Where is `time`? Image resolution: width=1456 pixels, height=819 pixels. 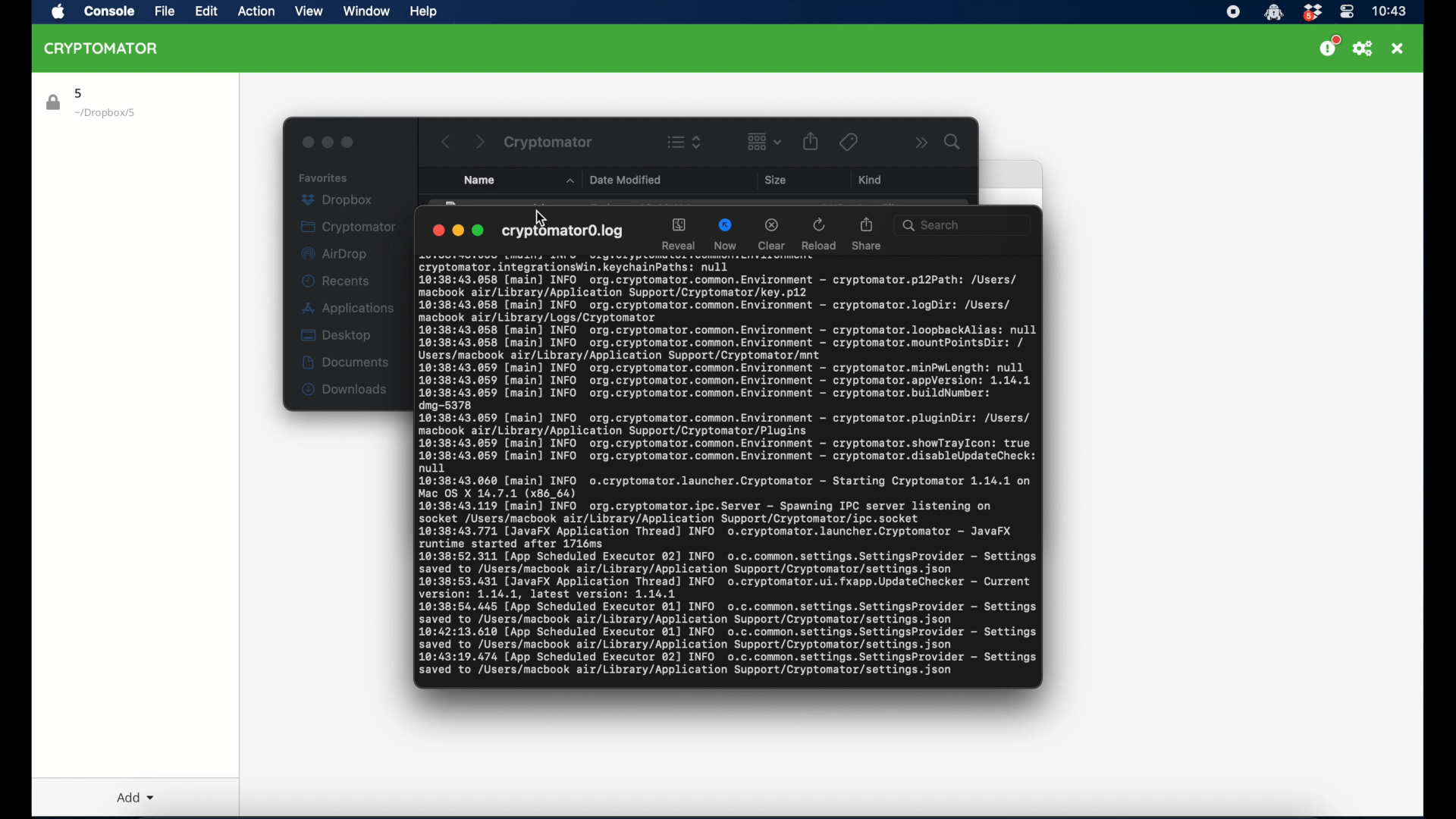 time is located at coordinates (1390, 11).